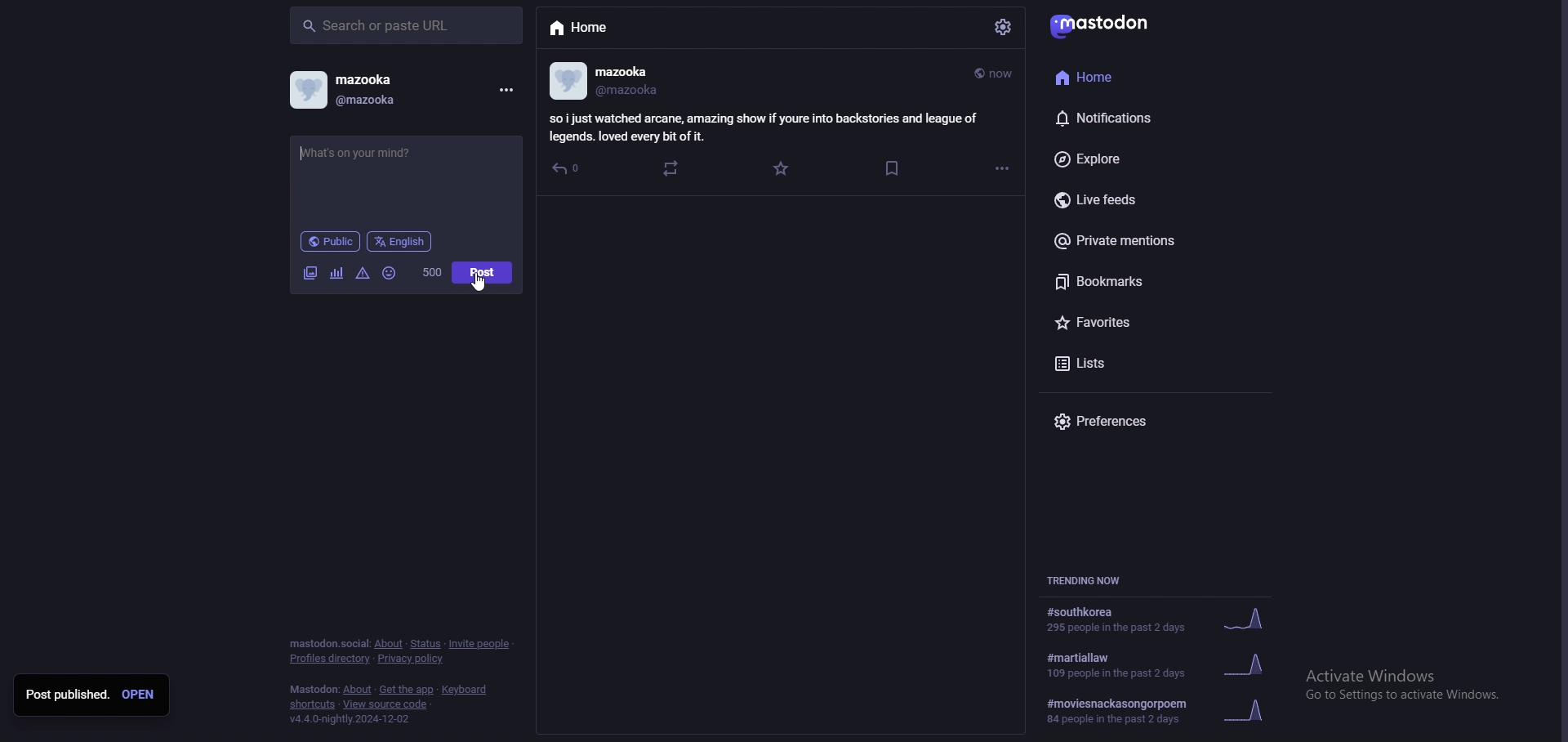 The image size is (1568, 742). What do you see at coordinates (406, 26) in the screenshot?
I see `search bar` at bounding box center [406, 26].